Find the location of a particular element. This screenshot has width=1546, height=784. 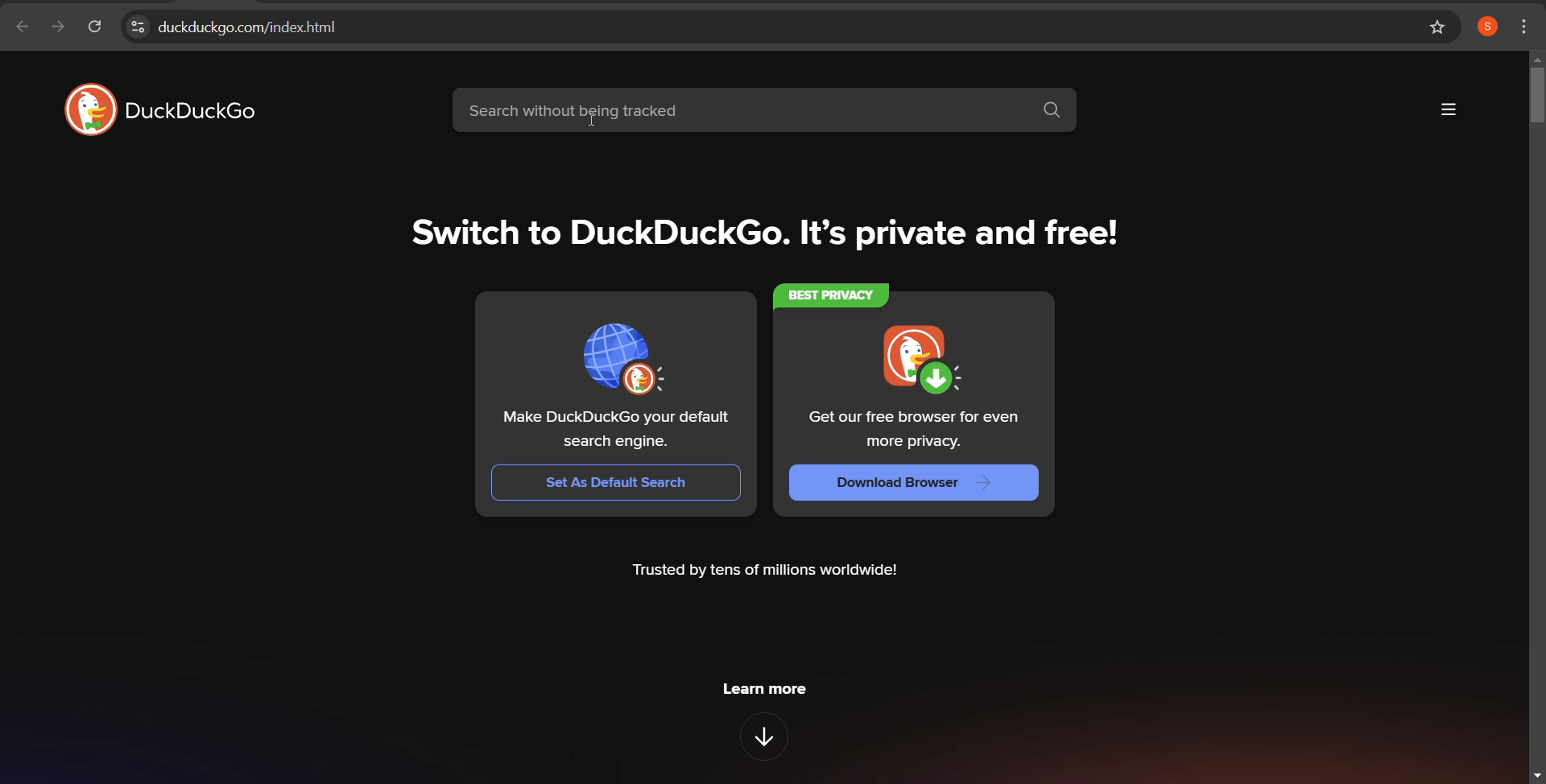

more options is located at coordinates (1447, 110).